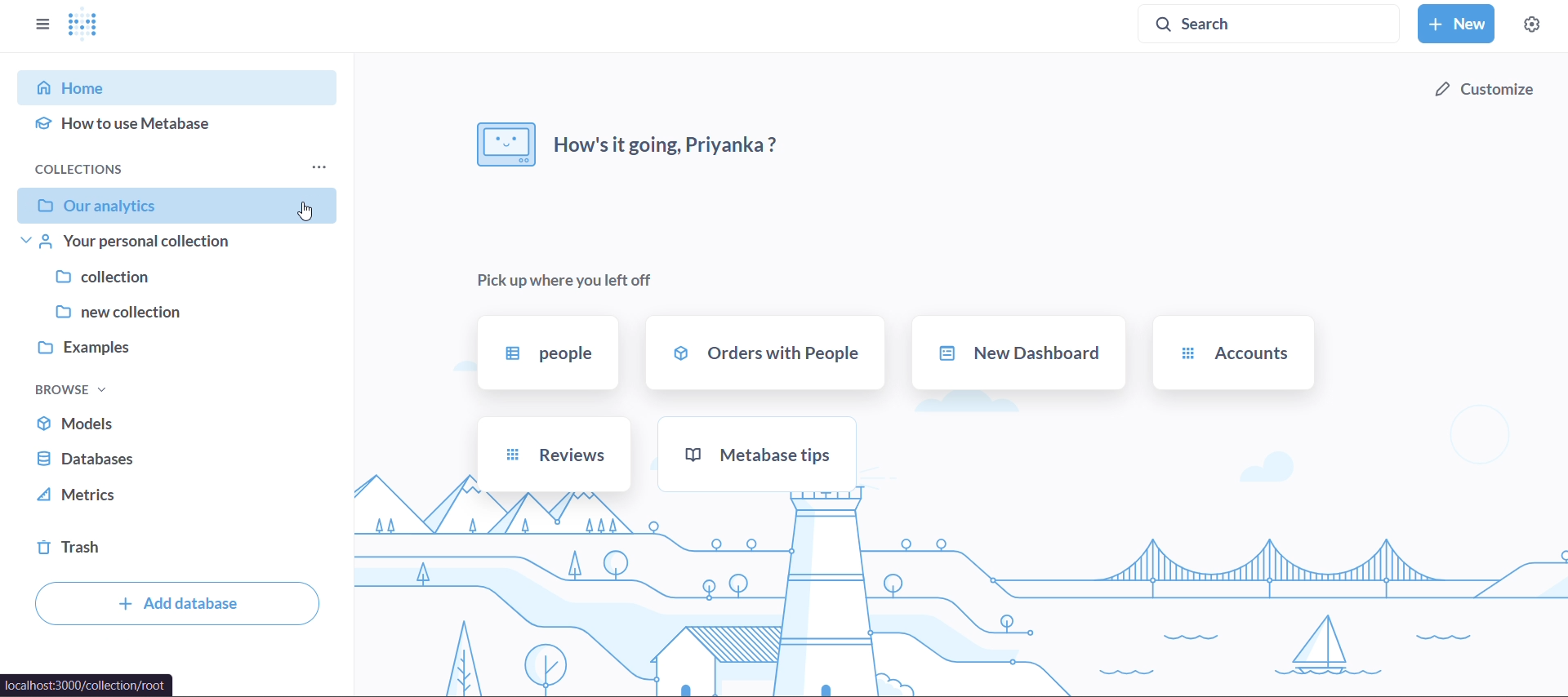 The width and height of the screenshot is (1568, 697). What do you see at coordinates (1021, 353) in the screenshot?
I see `new dashboard` at bounding box center [1021, 353].